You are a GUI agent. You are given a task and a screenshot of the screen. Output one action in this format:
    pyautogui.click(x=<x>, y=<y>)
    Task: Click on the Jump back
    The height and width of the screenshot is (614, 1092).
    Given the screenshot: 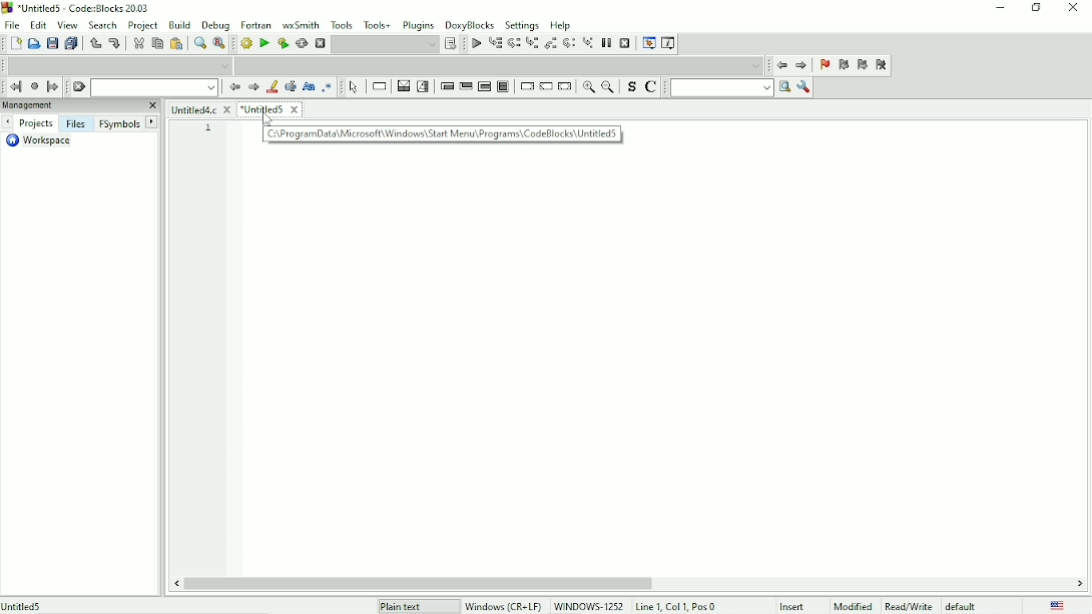 What is the action you would take?
    pyautogui.click(x=782, y=67)
    